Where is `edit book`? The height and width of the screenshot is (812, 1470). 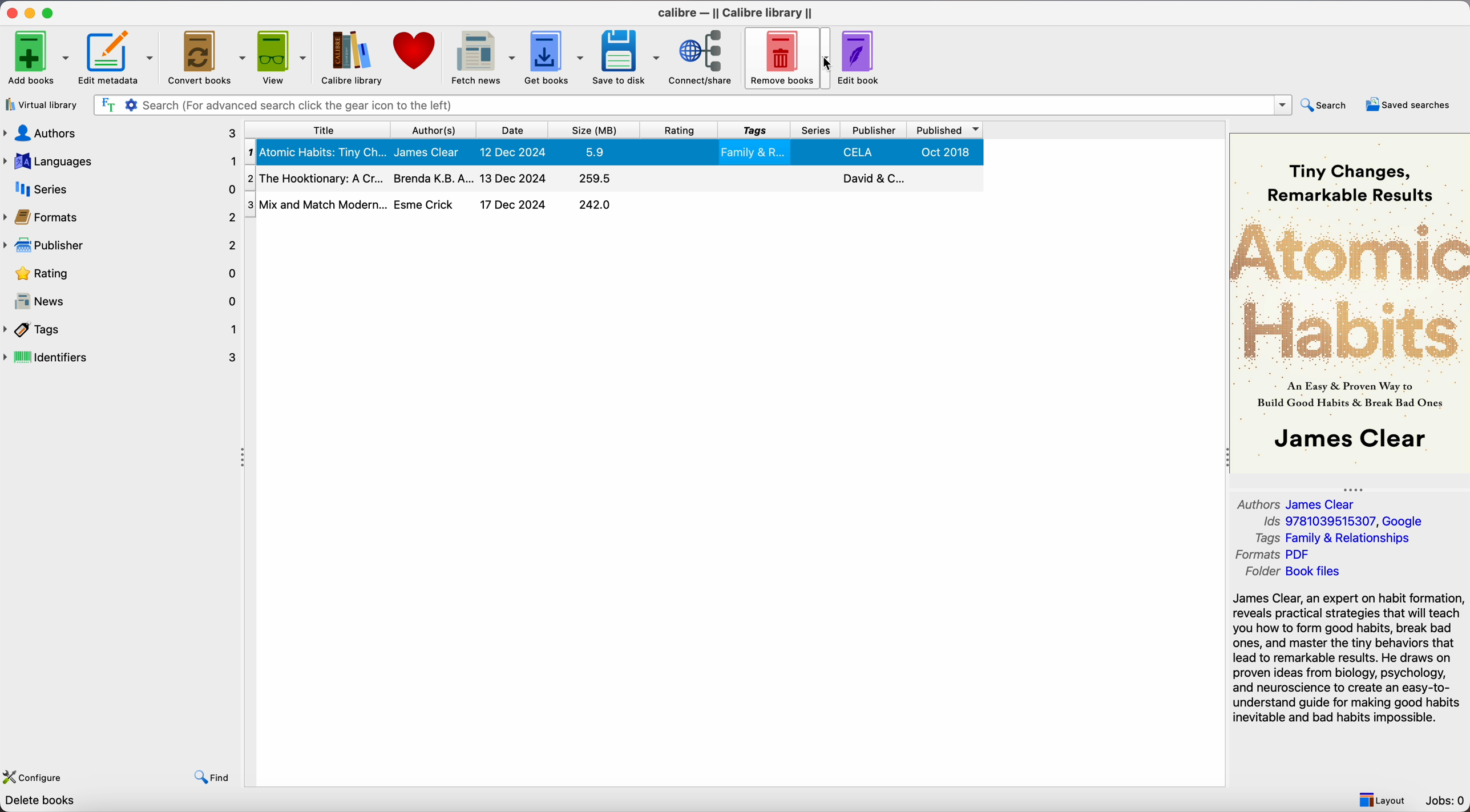
edit book is located at coordinates (862, 56).